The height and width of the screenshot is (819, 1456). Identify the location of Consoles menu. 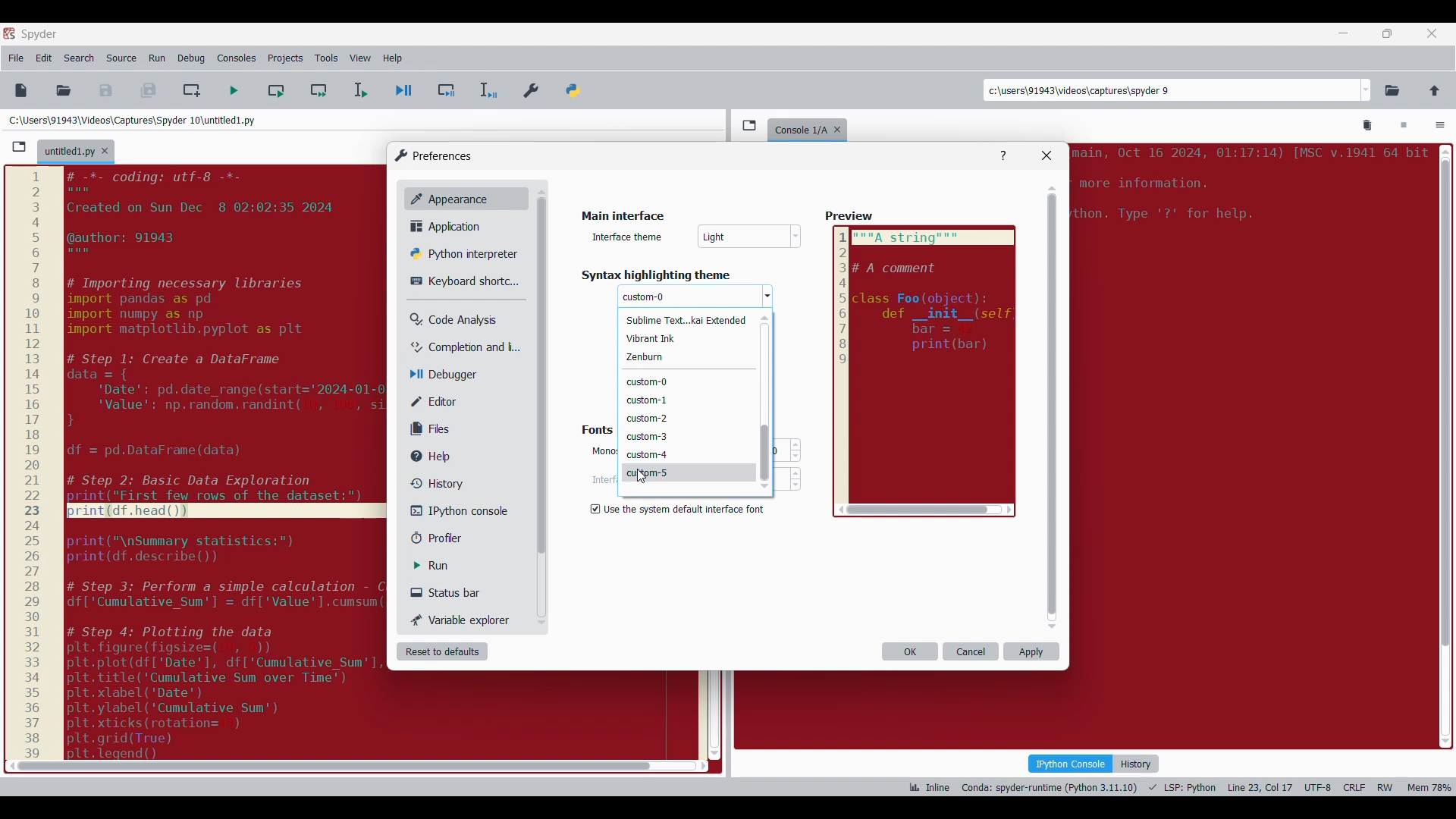
(237, 58).